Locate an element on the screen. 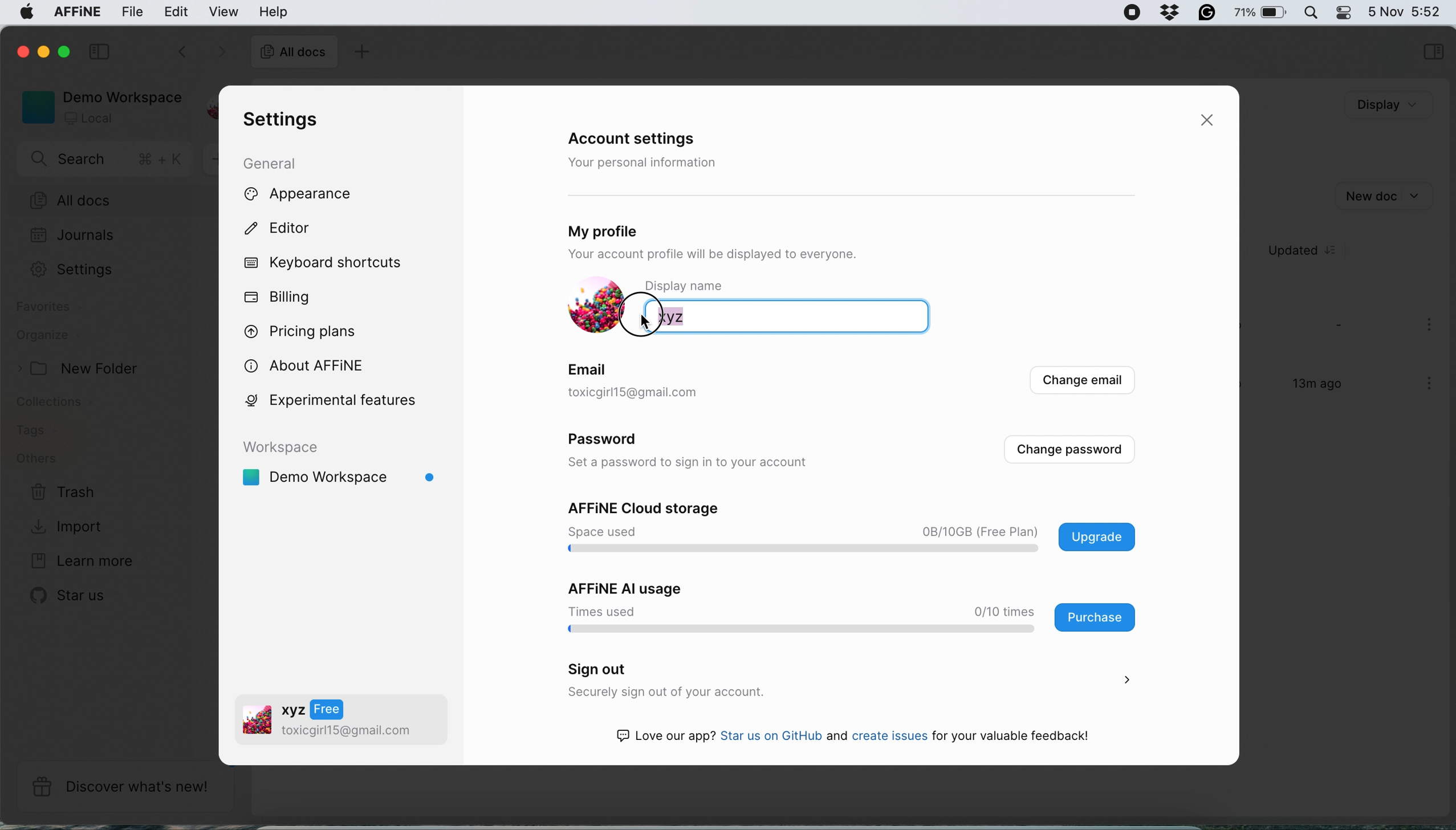 The width and height of the screenshot is (1456, 830). all docs is located at coordinates (112, 201).